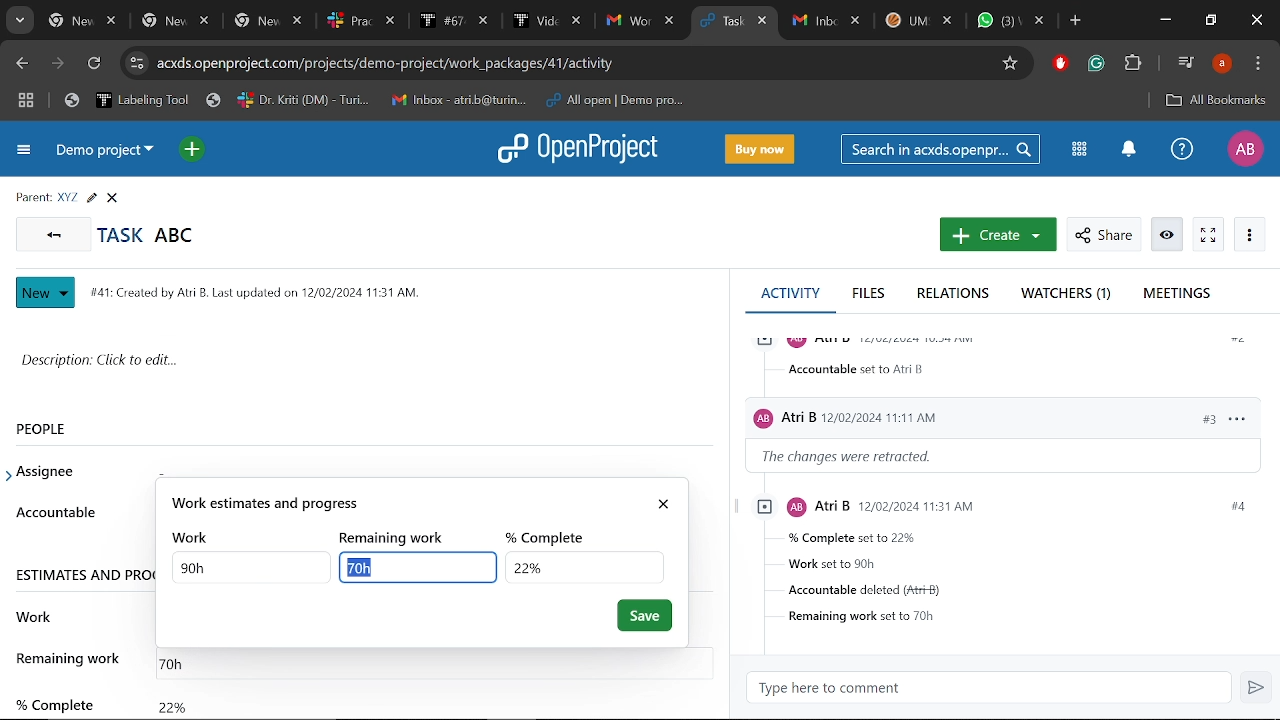 The height and width of the screenshot is (720, 1280). Describe the element at coordinates (66, 198) in the screenshot. I see `Parent task name` at that location.